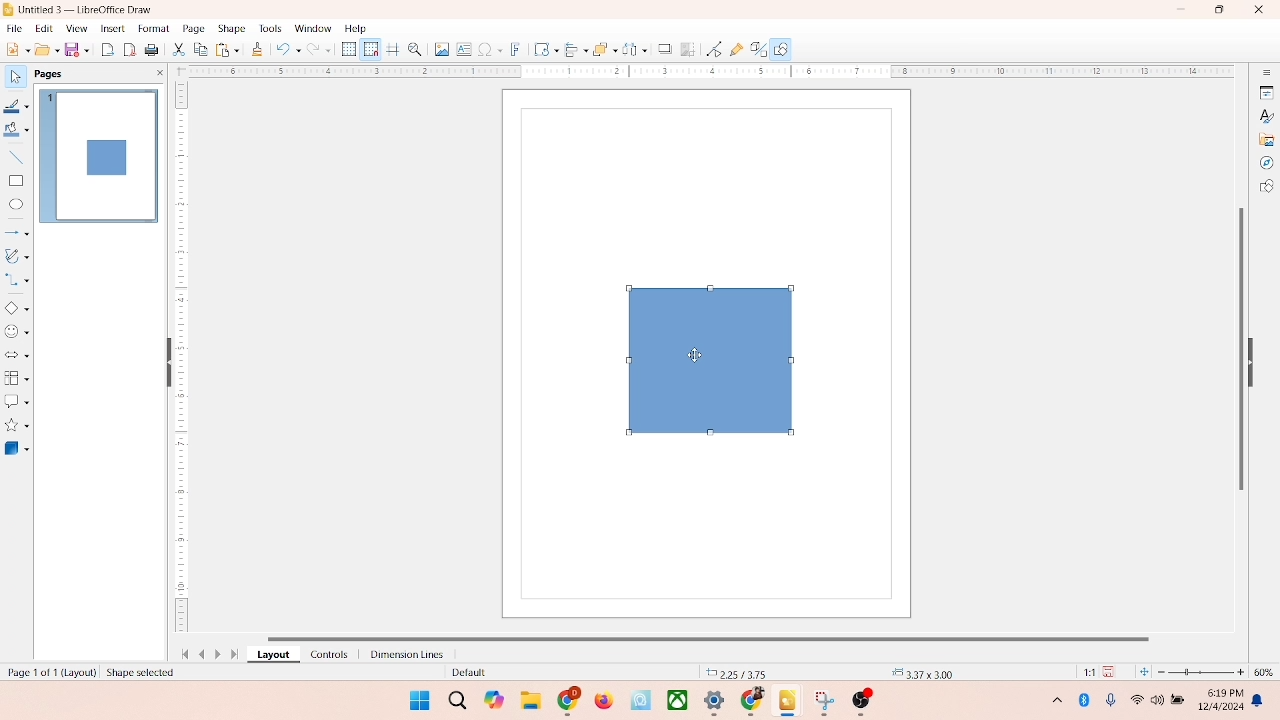  Describe the element at coordinates (269, 28) in the screenshot. I see `tools` at that location.